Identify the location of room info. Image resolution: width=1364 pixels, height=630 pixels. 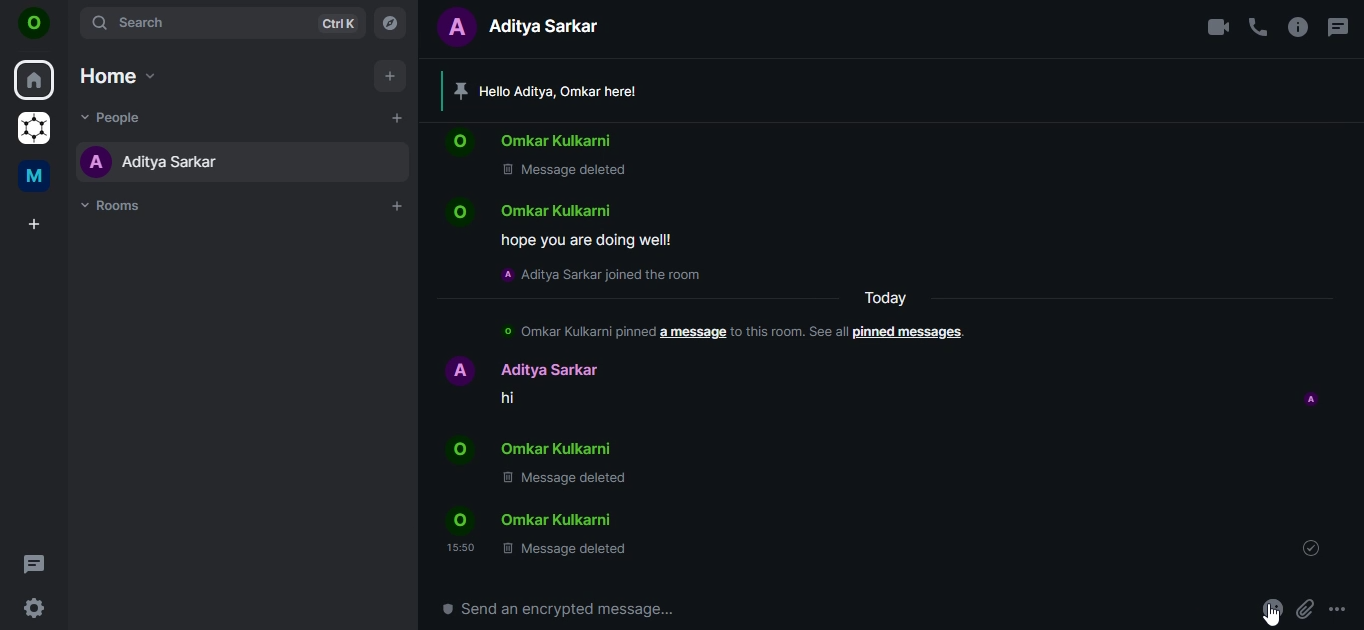
(1298, 26).